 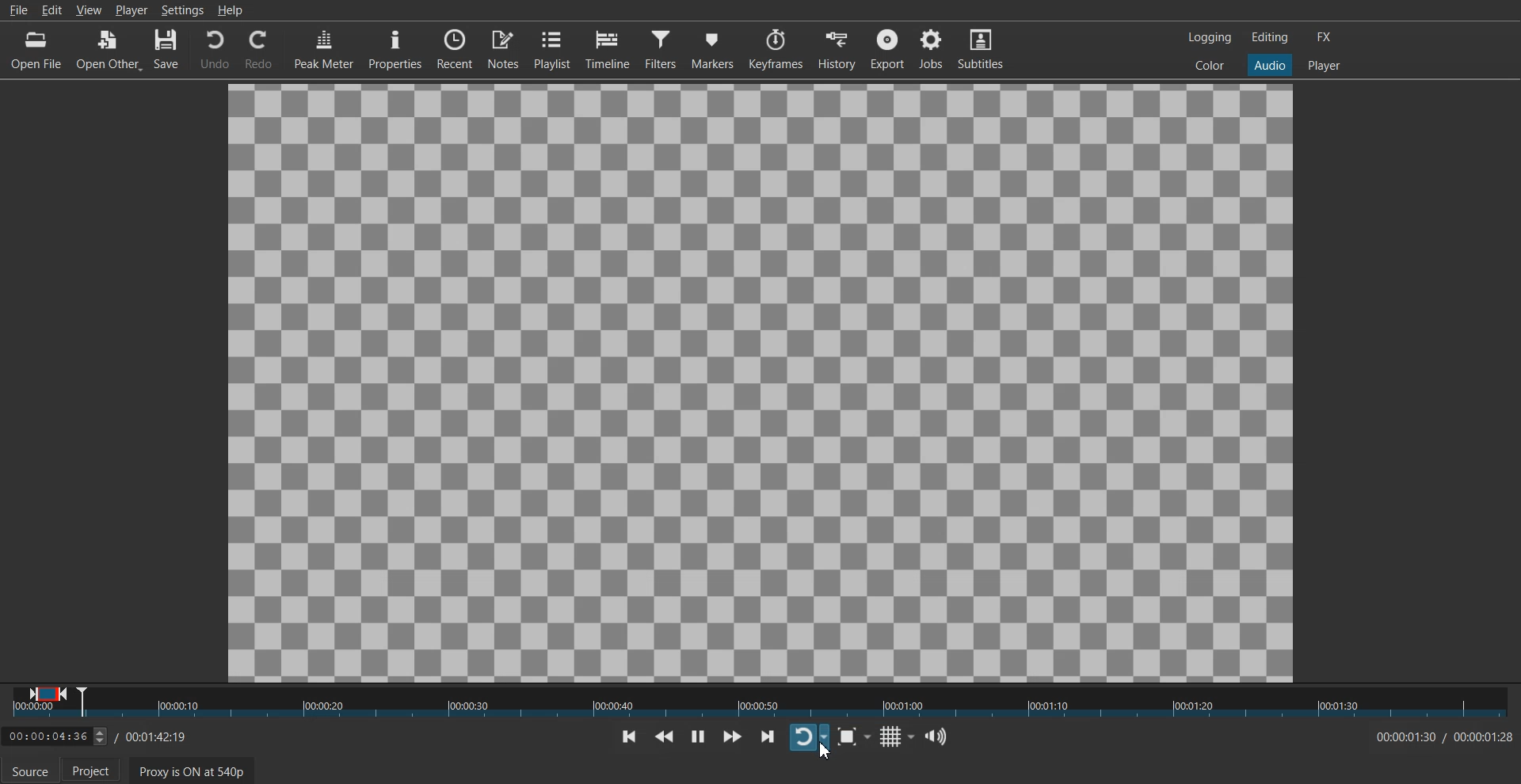 I want to click on Toggle Zoom, so click(x=853, y=737).